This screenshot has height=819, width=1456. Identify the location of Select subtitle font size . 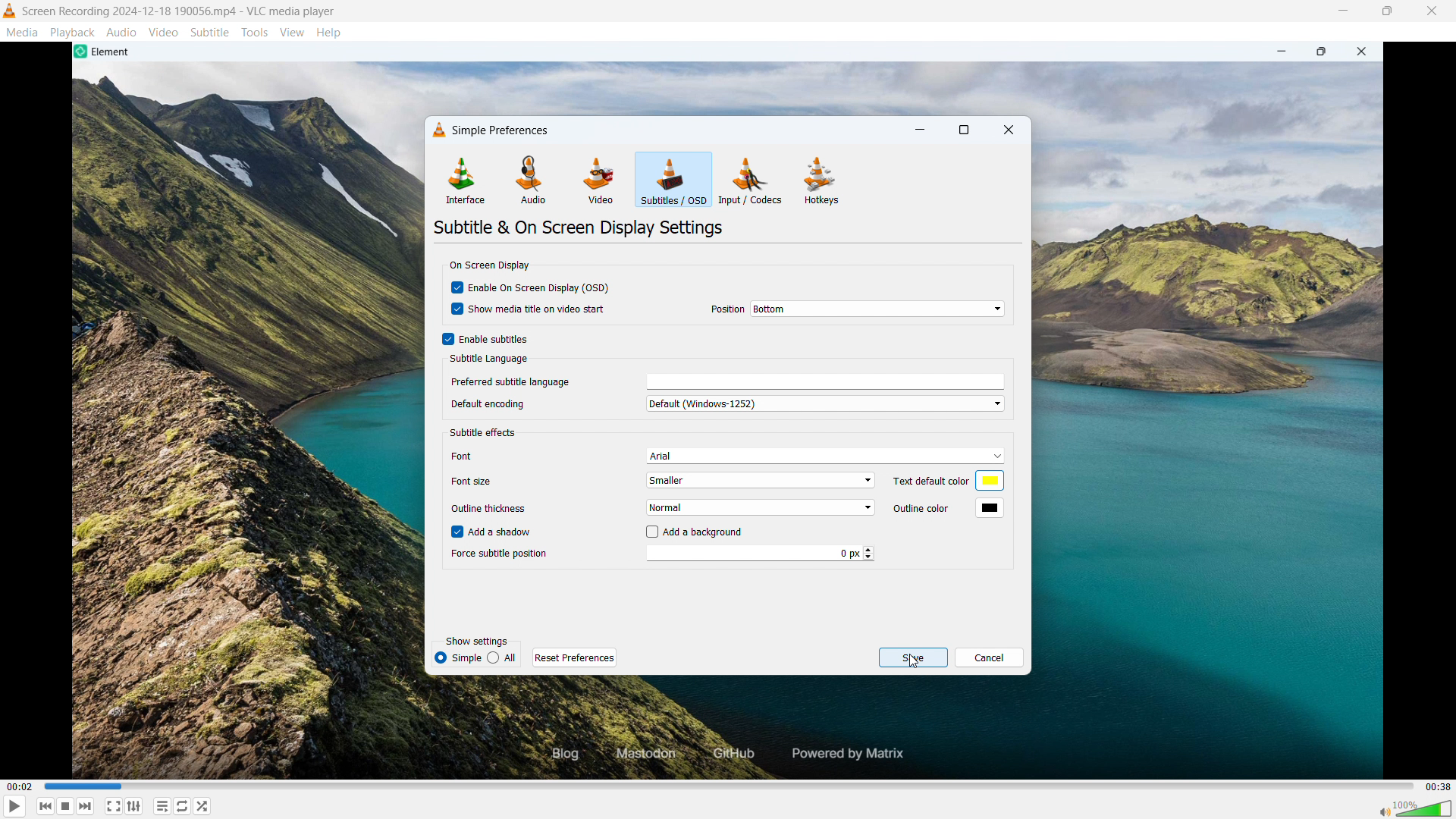
(760, 480).